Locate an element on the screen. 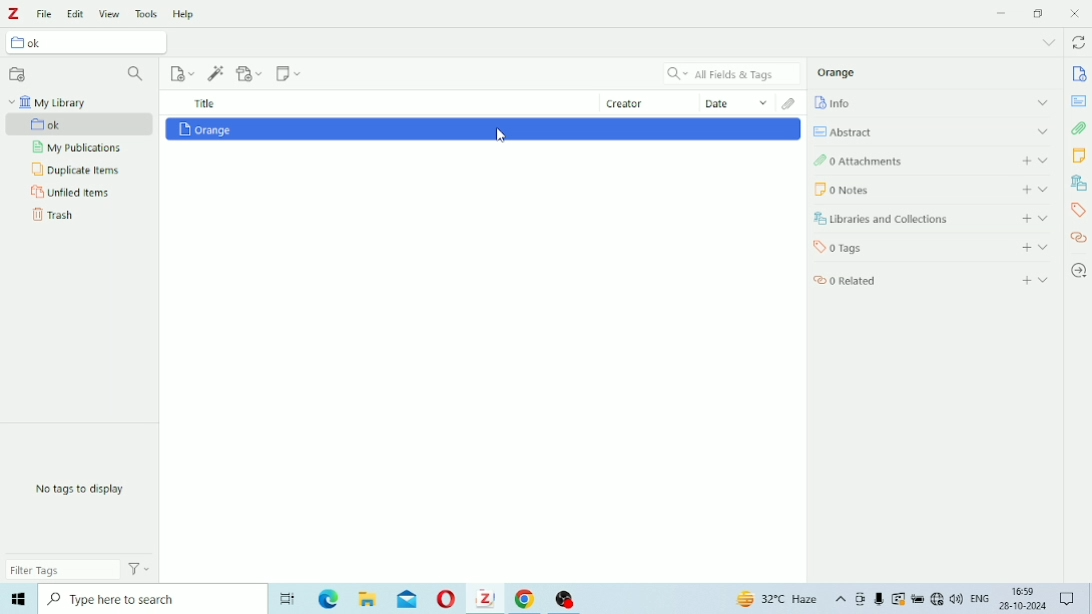 Image resolution: width=1092 pixels, height=614 pixels. OBS Studio is located at coordinates (566, 600).